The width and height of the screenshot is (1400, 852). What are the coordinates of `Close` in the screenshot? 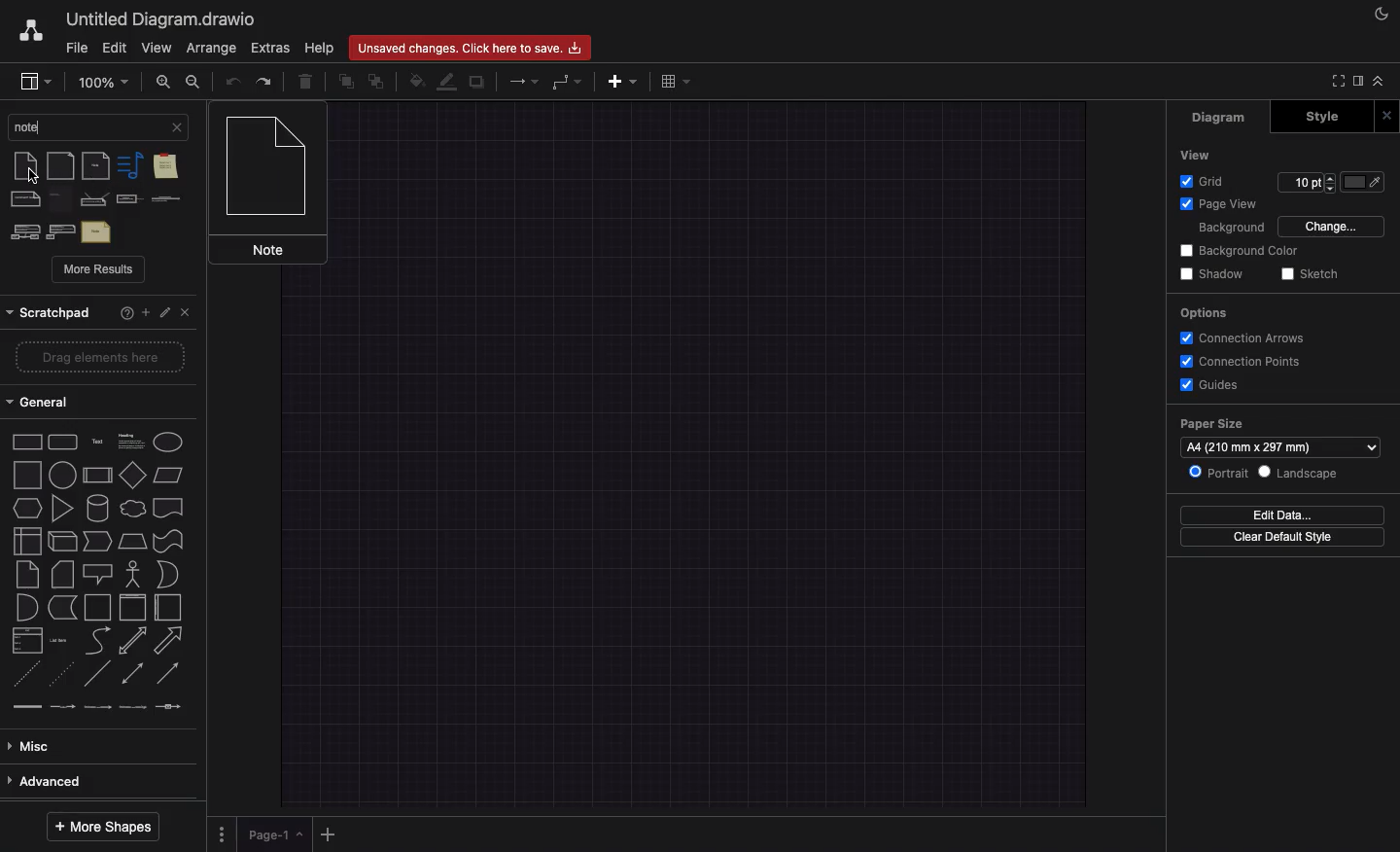 It's located at (189, 314).